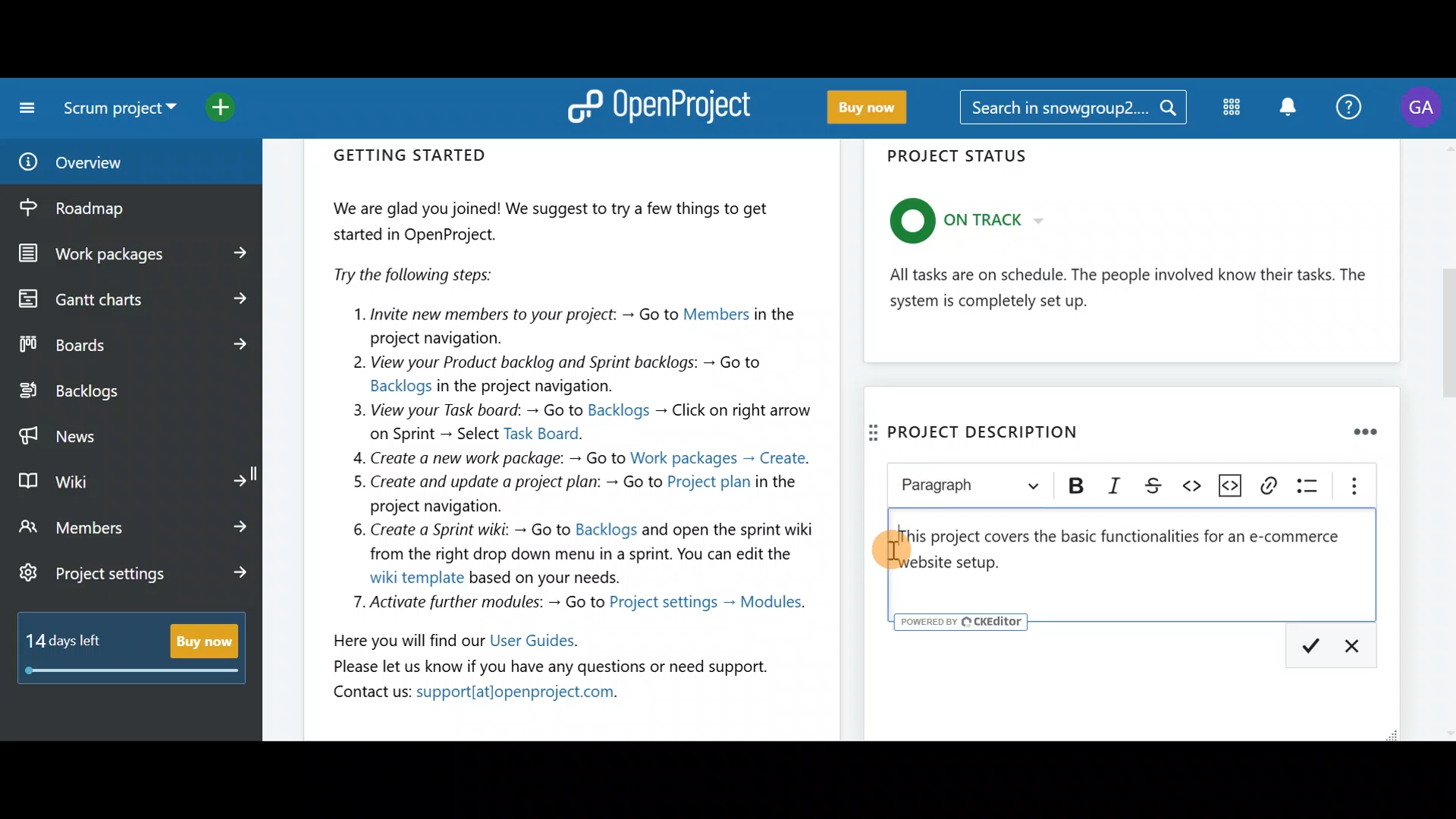 The image size is (1456, 819). I want to click on Overview, so click(112, 162).